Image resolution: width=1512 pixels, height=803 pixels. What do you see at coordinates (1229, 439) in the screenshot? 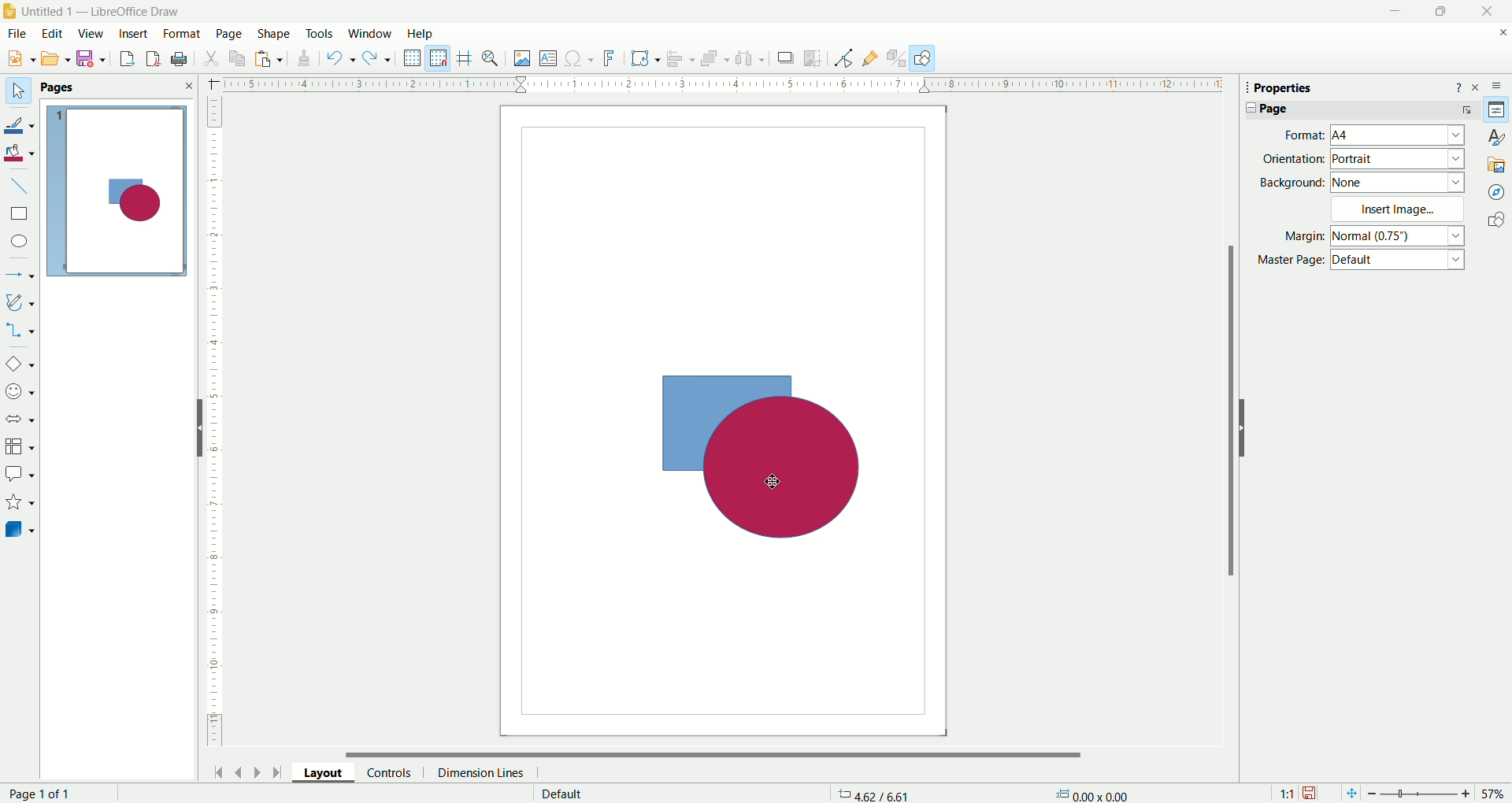
I see `vertical scroll bar` at bounding box center [1229, 439].